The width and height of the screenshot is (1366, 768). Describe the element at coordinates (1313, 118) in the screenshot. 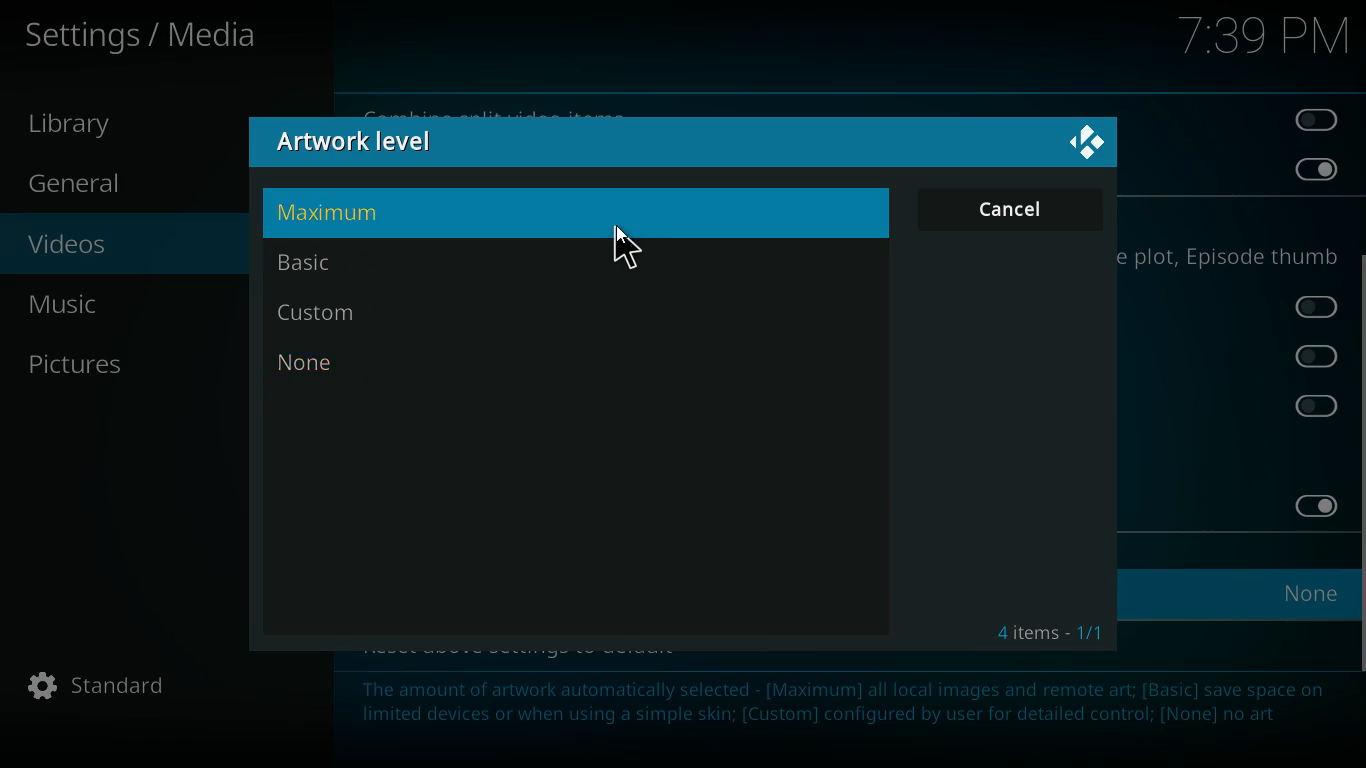

I see `off` at that location.